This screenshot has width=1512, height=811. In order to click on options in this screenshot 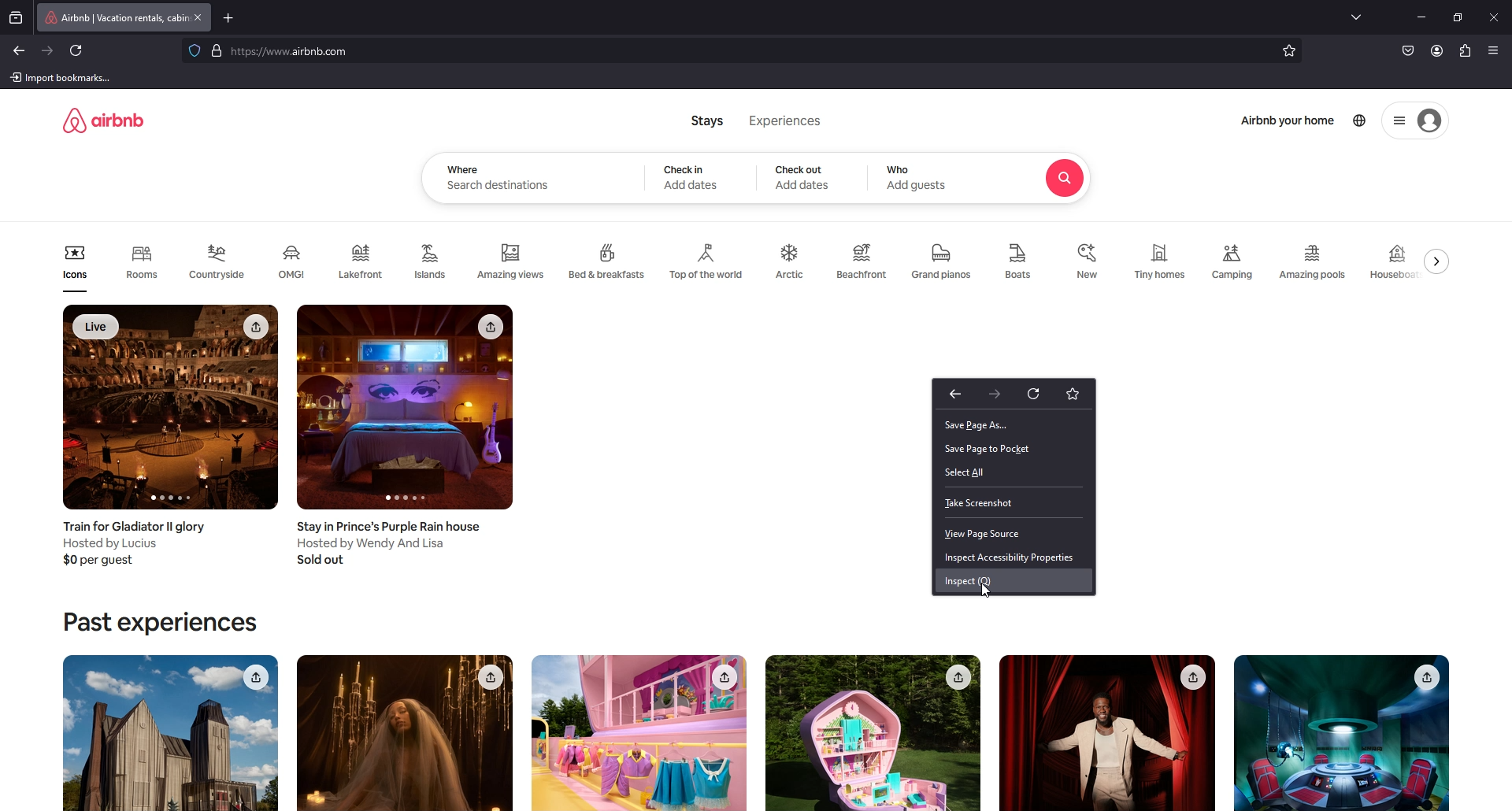, I will do `click(1399, 121)`.